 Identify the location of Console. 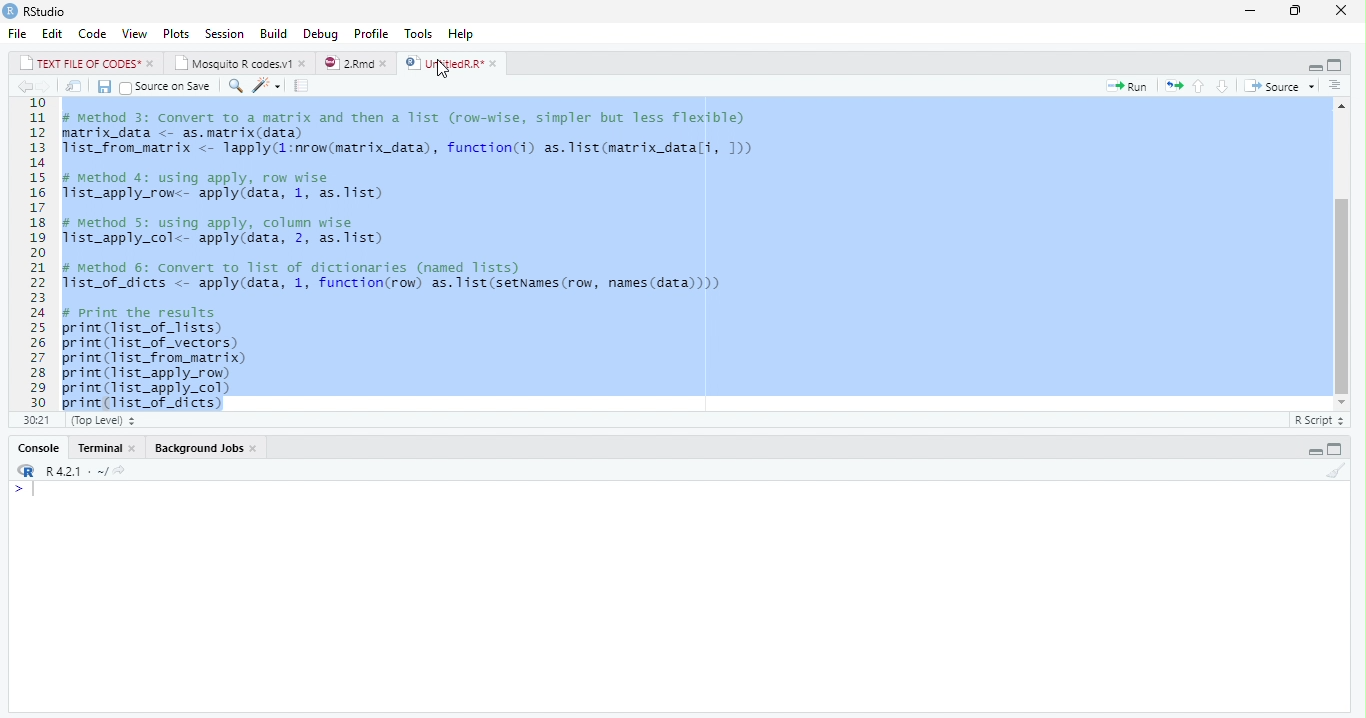
(678, 596).